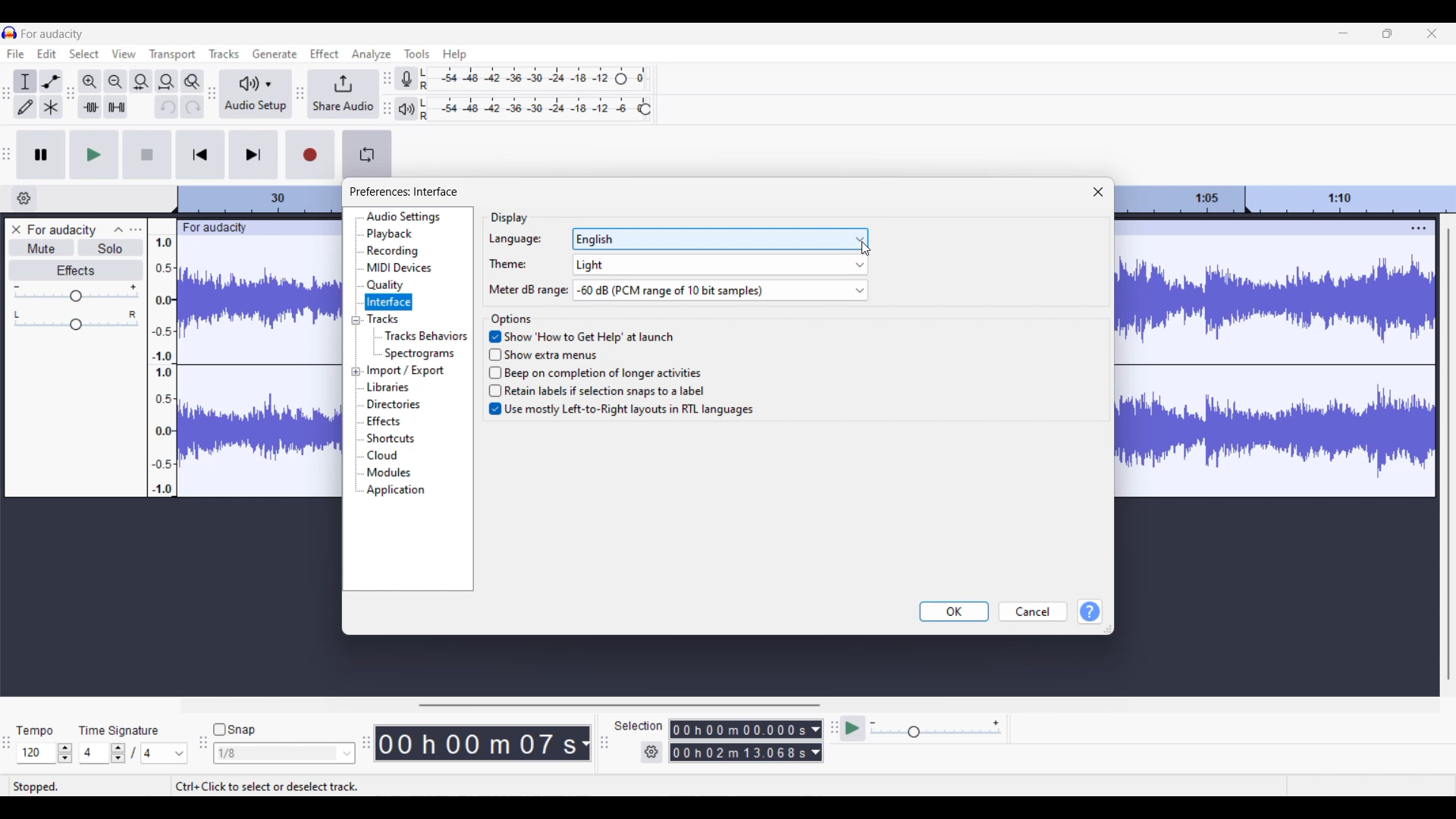 The image size is (1456, 819). Describe the element at coordinates (94, 155) in the screenshot. I see `Play/Play once` at that location.